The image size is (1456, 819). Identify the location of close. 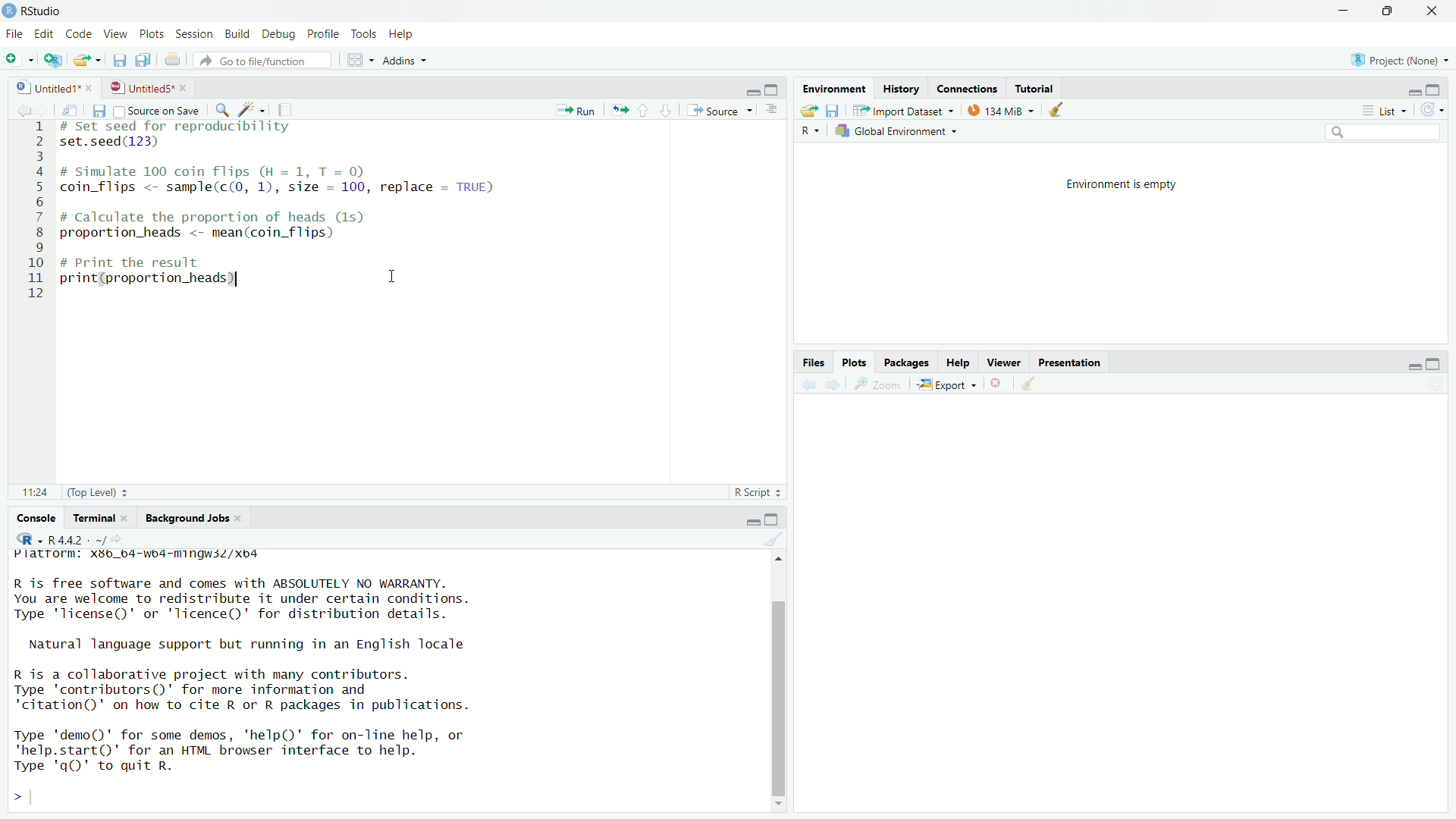
(1434, 9).